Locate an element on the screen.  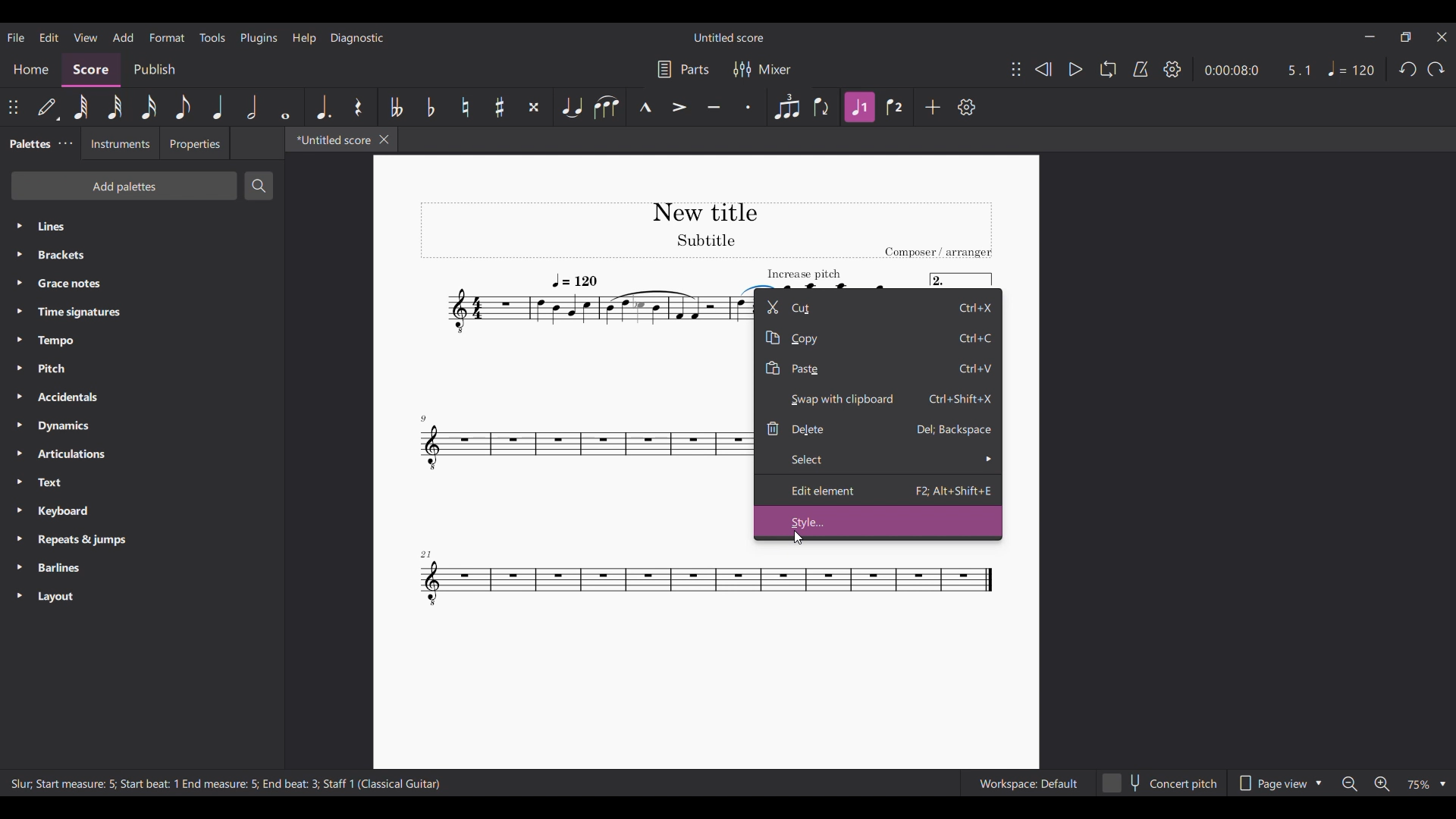
Toggle flat is located at coordinates (431, 107).